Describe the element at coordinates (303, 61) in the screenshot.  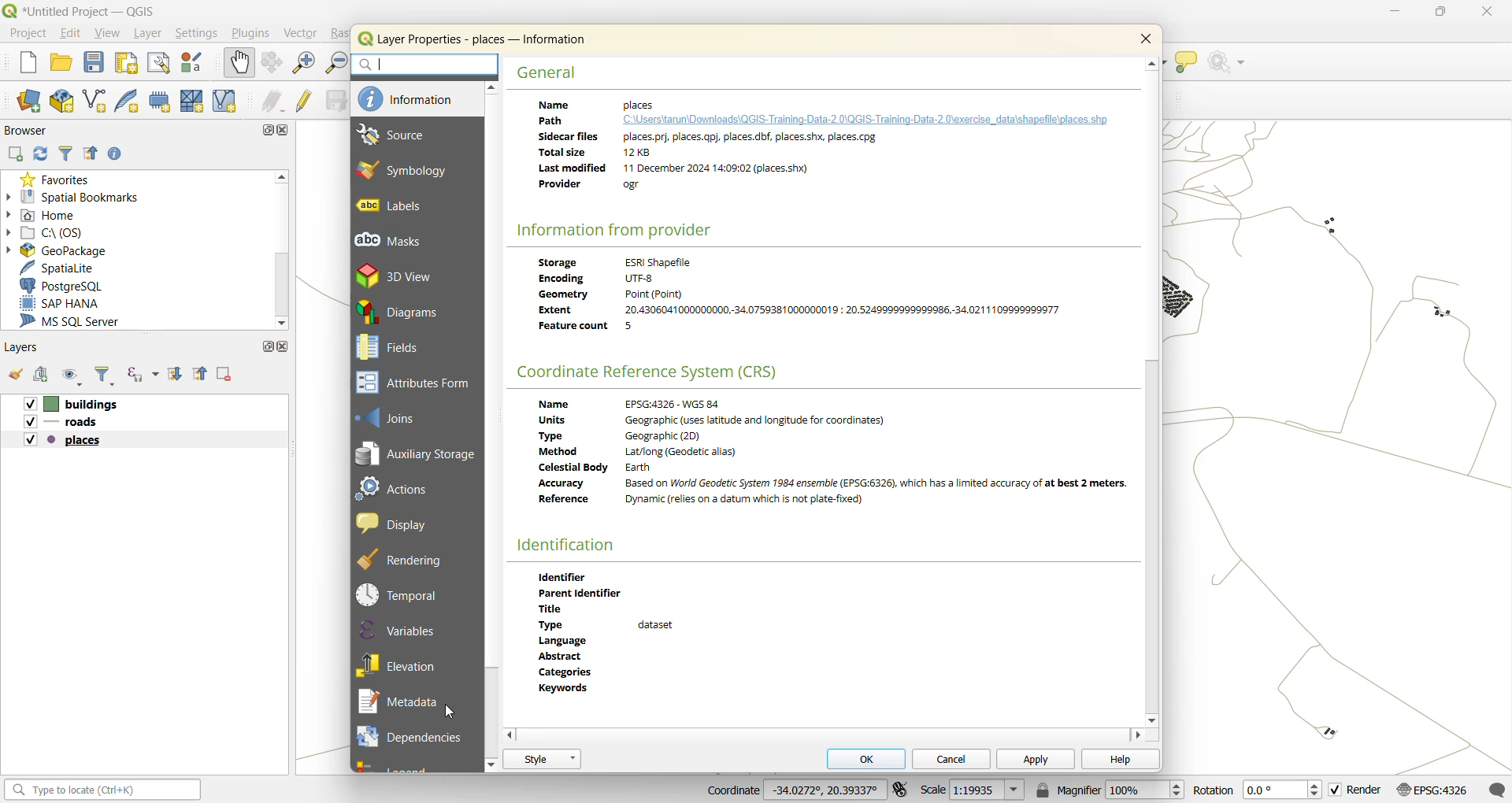
I see `zoom in` at that location.